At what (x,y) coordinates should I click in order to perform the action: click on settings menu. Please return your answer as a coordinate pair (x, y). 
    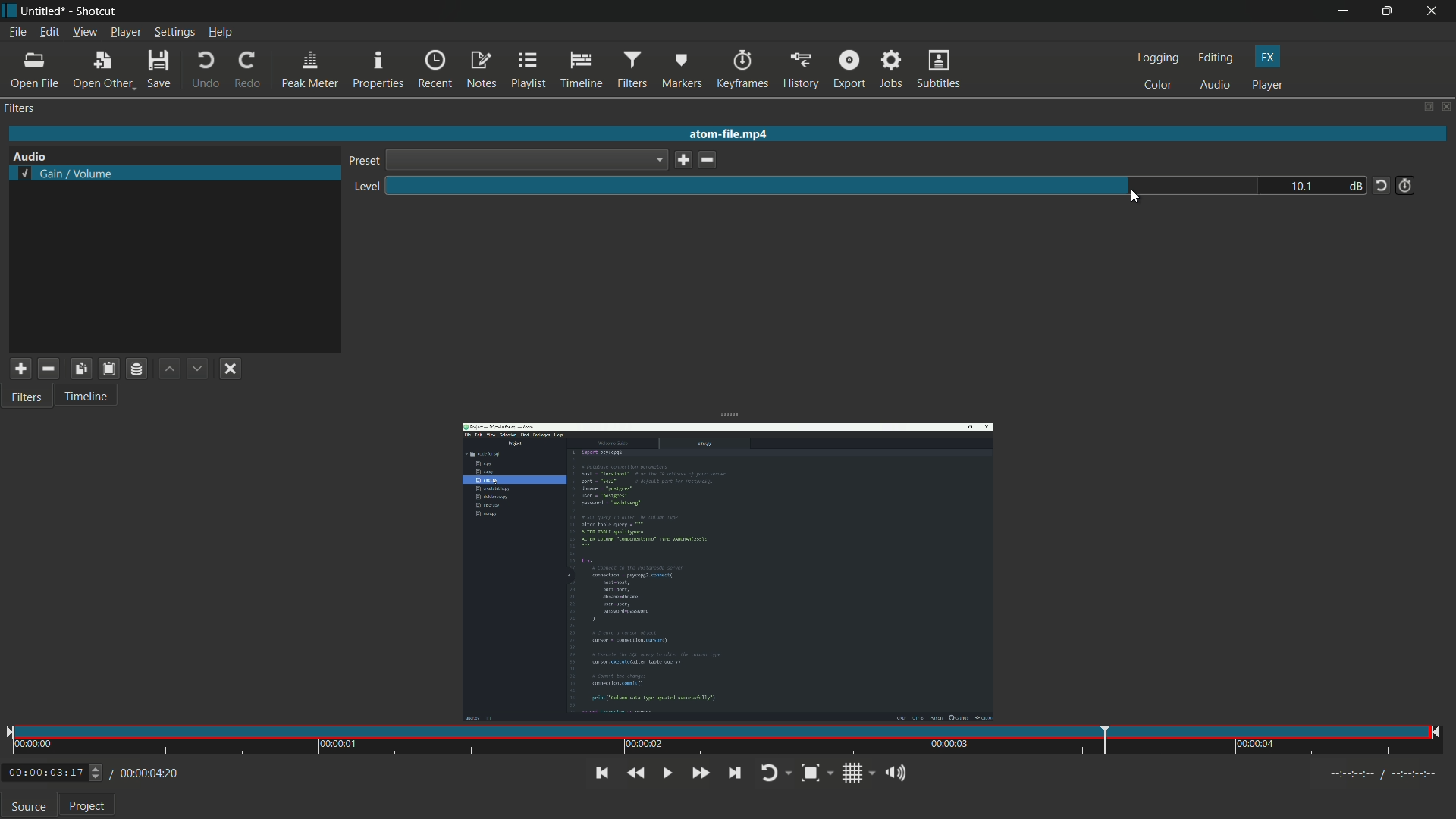
    Looking at the image, I should click on (174, 32).